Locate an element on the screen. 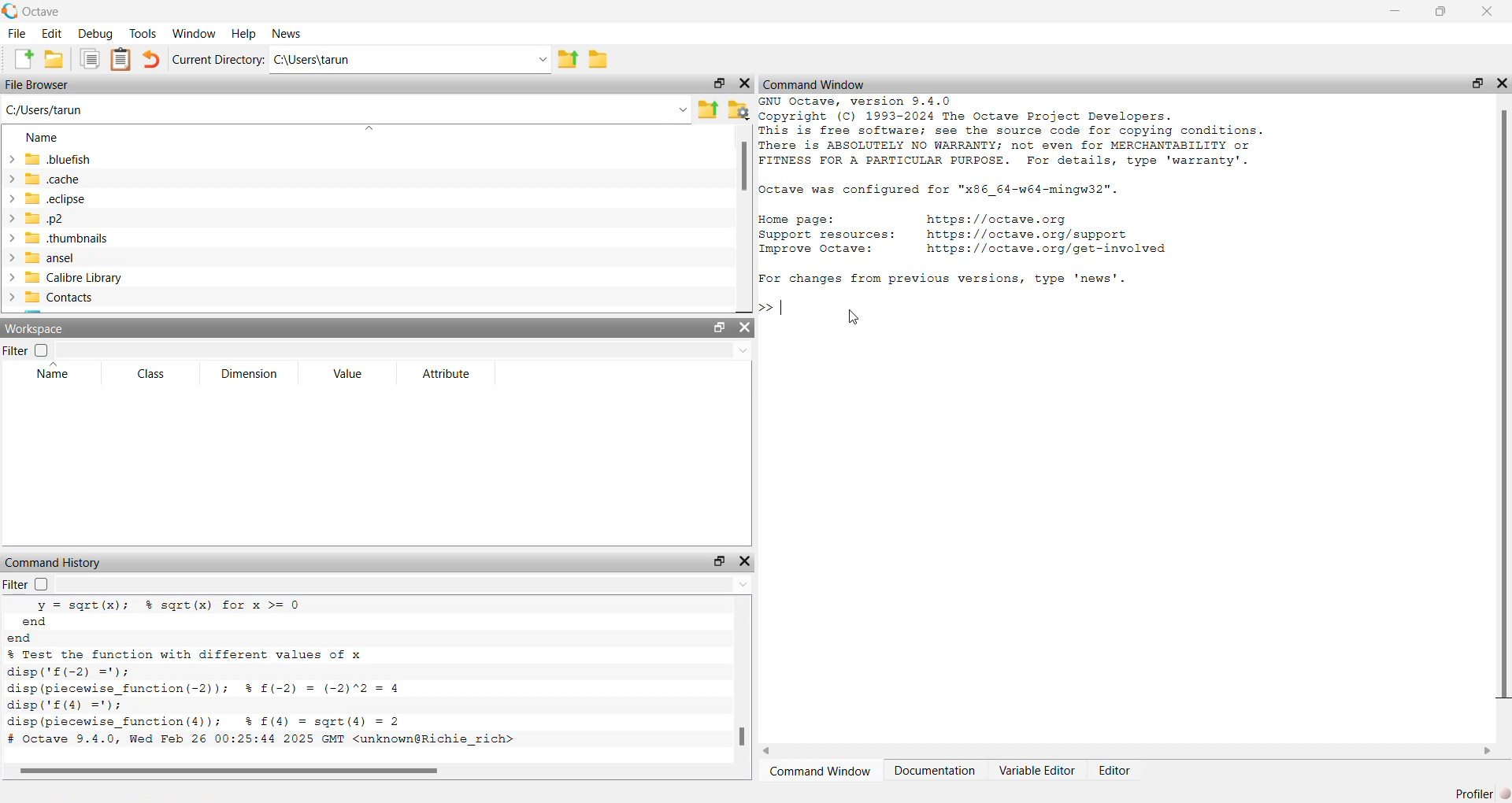 Image resolution: width=1512 pixels, height=803 pixels. Close is located at coordinates (746, 81).